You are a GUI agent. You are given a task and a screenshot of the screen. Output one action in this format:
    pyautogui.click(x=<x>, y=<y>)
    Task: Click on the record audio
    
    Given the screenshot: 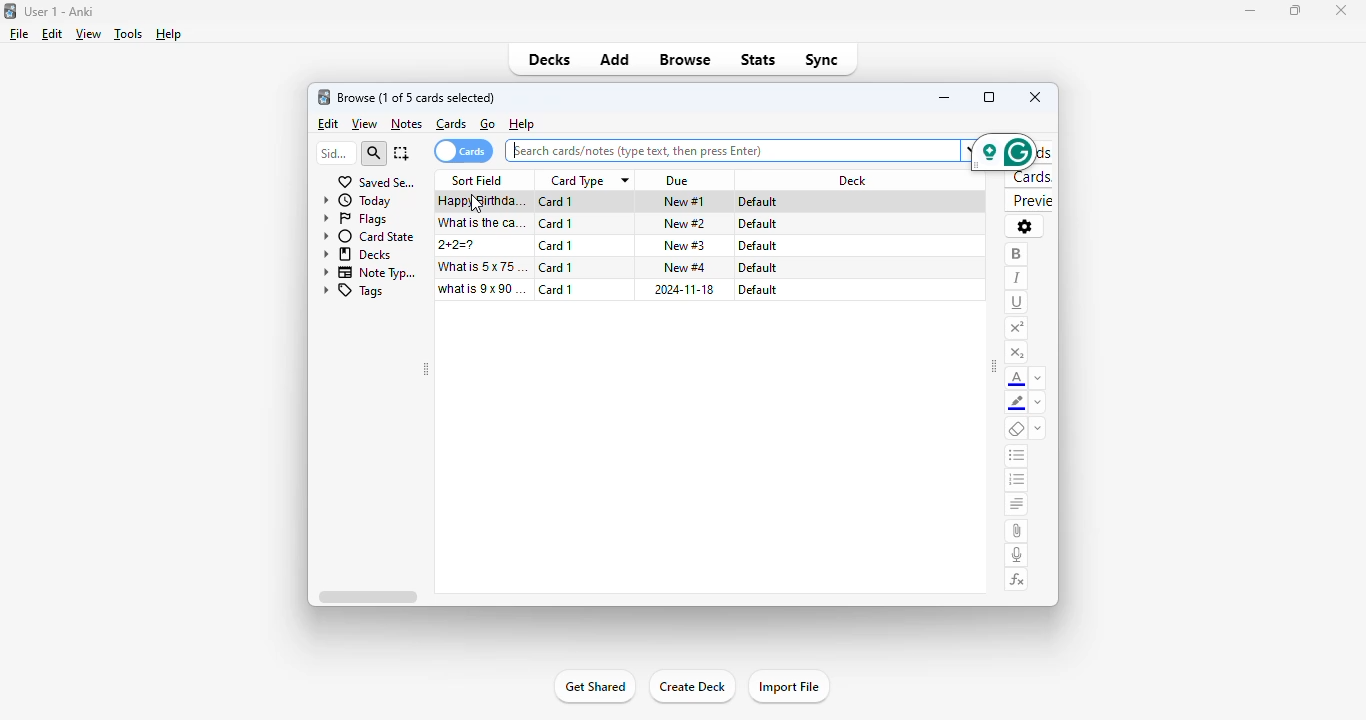 What is the action you would take?
    pyautogui.click(x=1017, y=556)
    